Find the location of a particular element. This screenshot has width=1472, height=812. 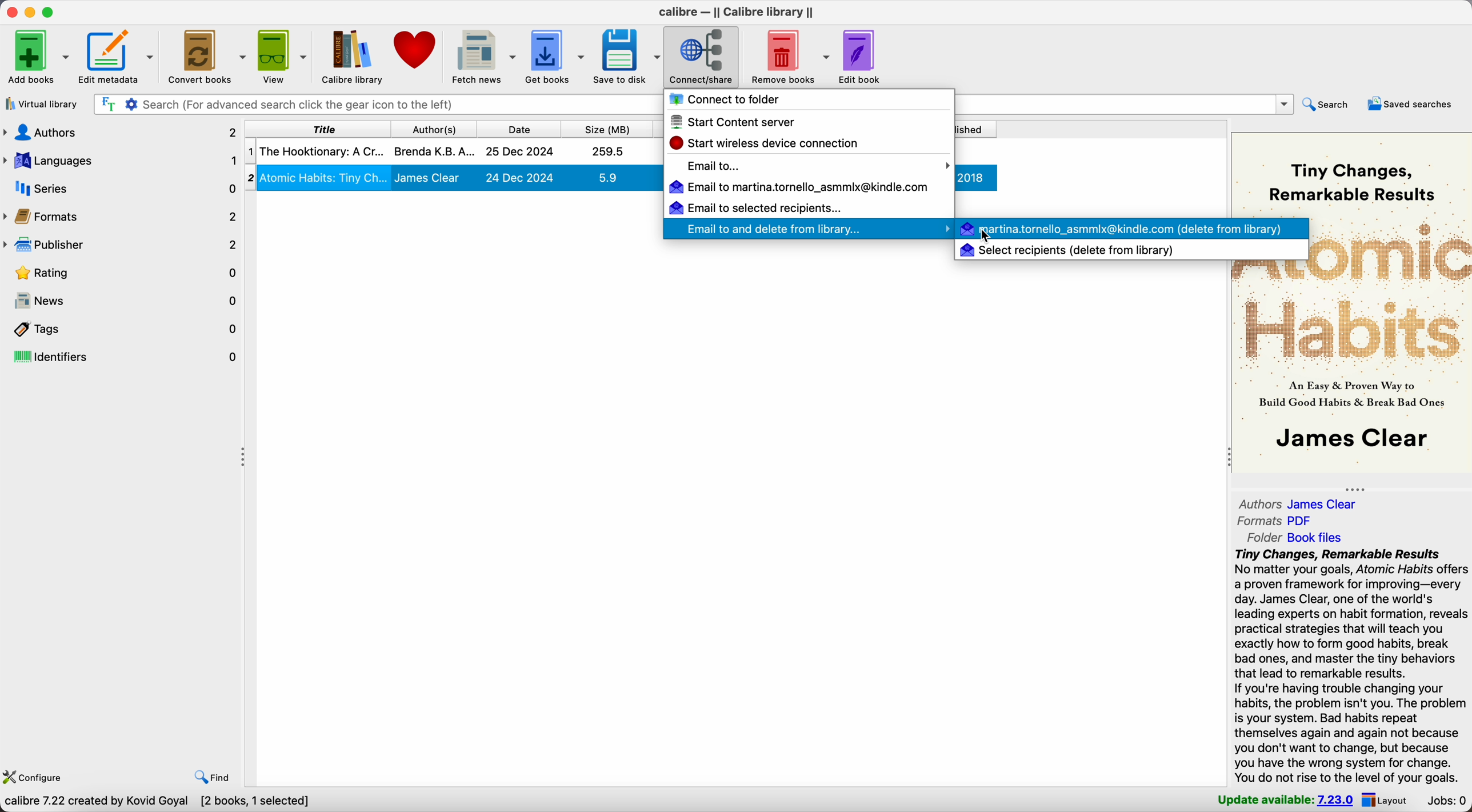

size is located at coordinates (606, 127).